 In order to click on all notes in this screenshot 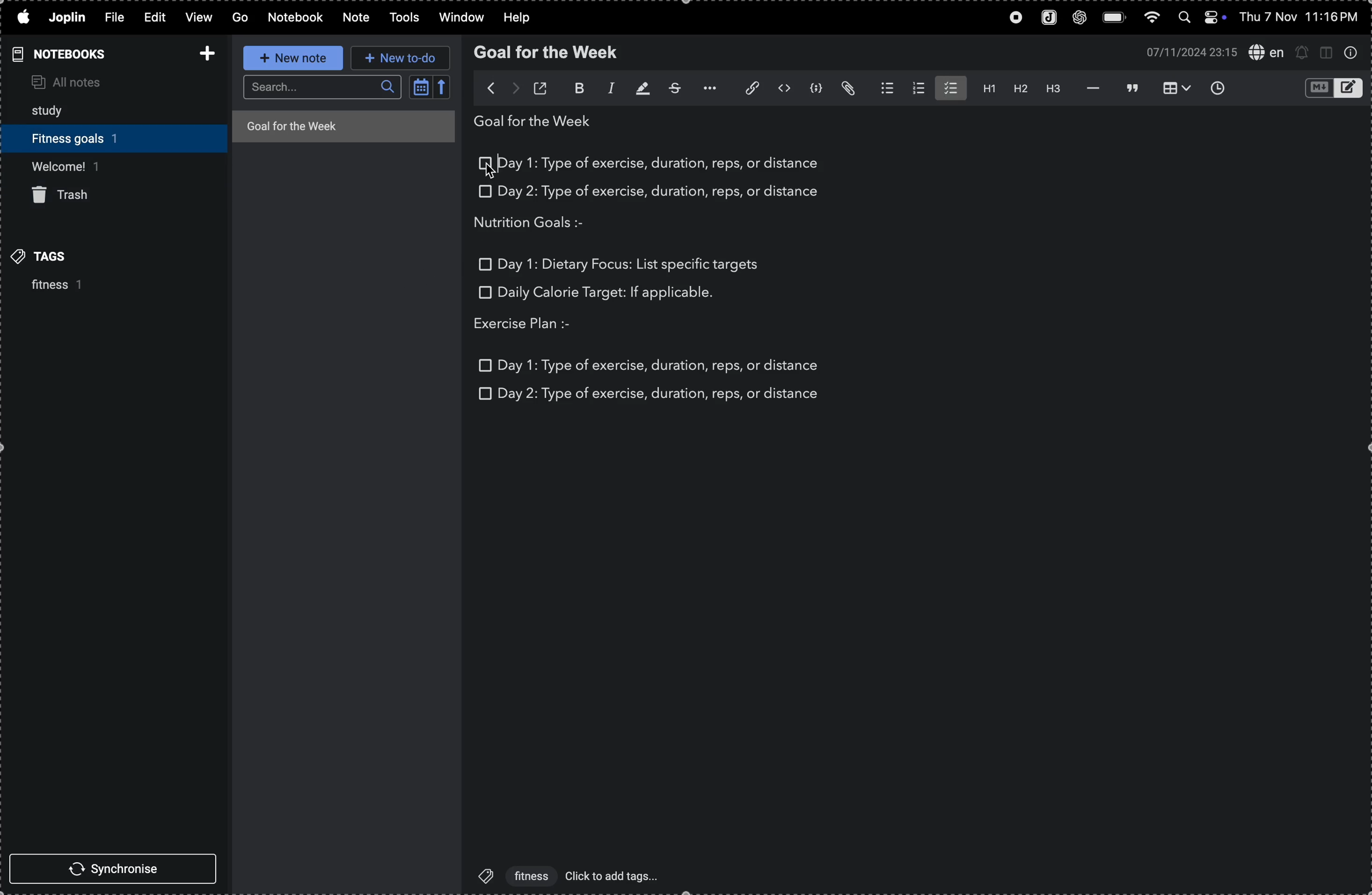, I will do `click(91, 80)`.